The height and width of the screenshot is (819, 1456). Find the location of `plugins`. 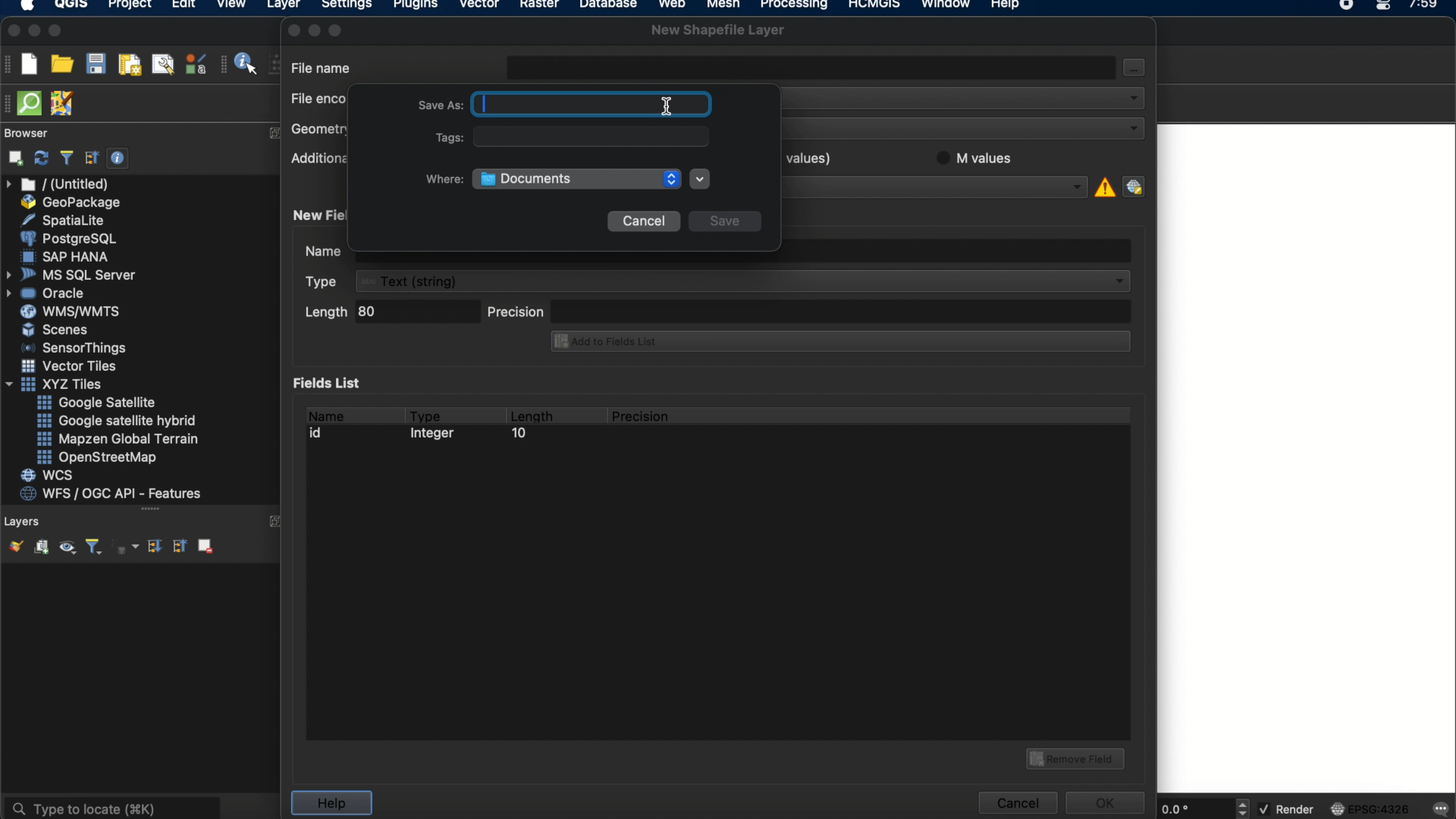

plugins is located at coordinates (416, 7).